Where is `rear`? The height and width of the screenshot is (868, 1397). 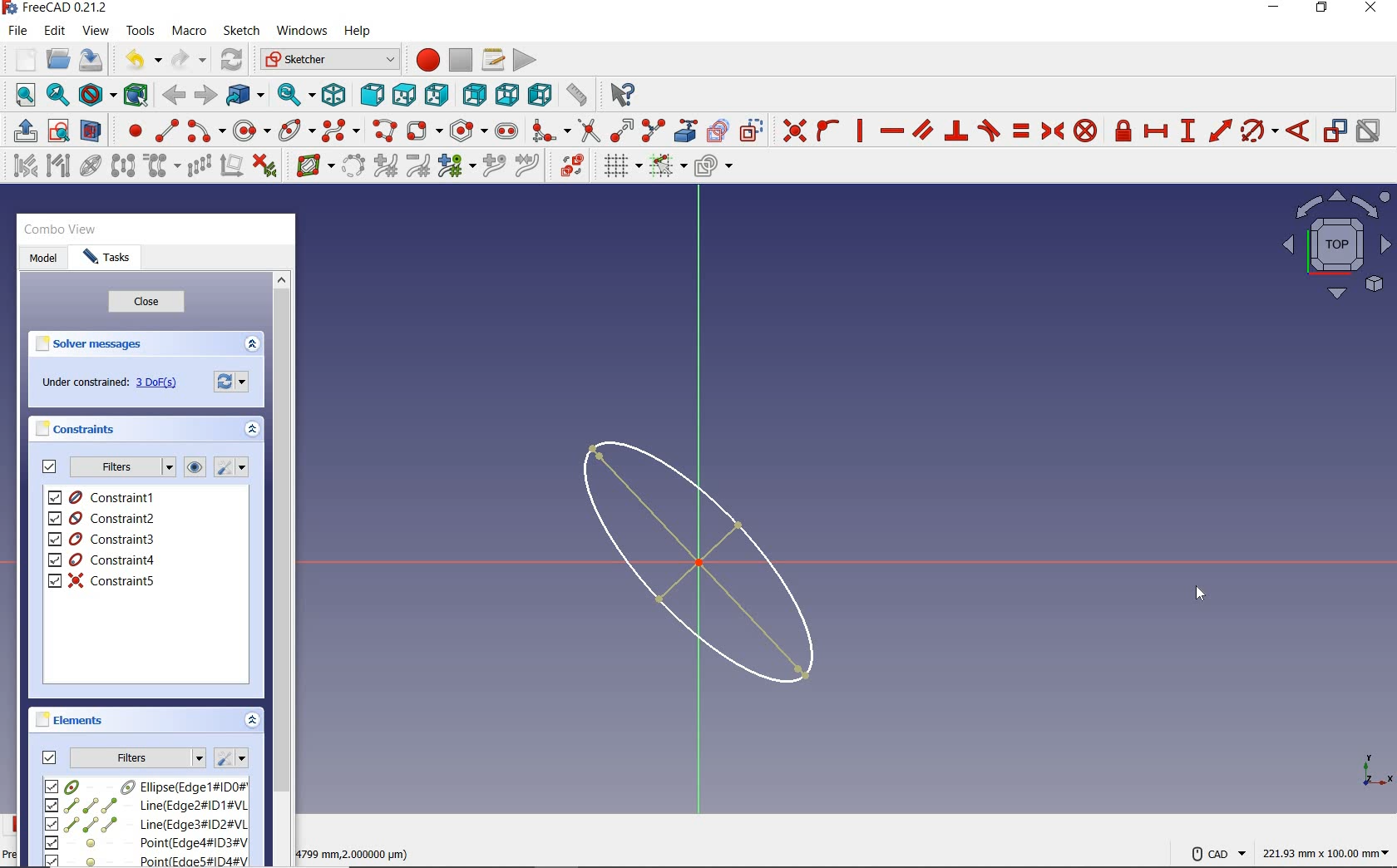
rear is located at coordinates (474, 94).